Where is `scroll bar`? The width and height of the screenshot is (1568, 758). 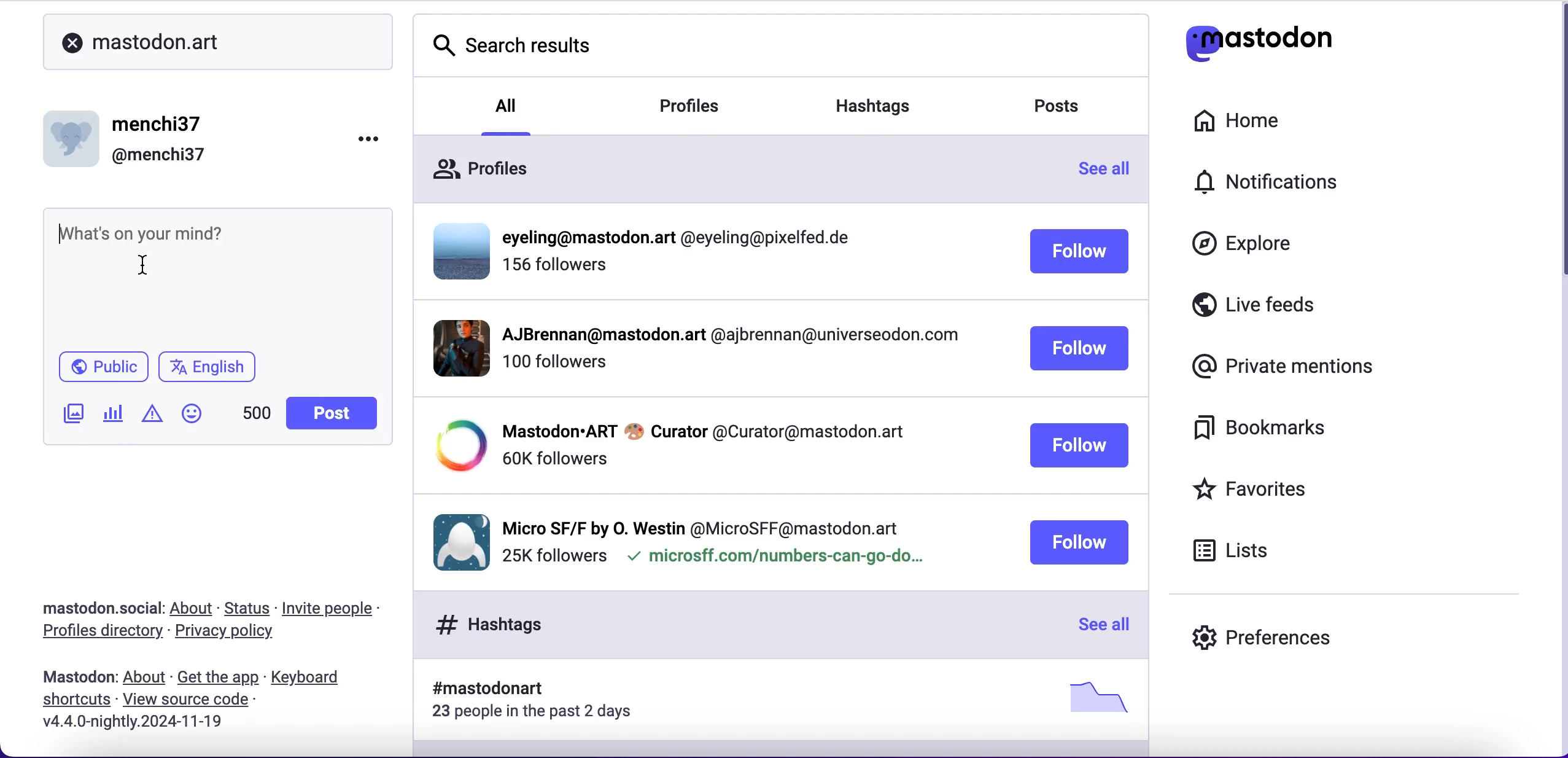 scroll bar is located at coordinates (1557, 147).